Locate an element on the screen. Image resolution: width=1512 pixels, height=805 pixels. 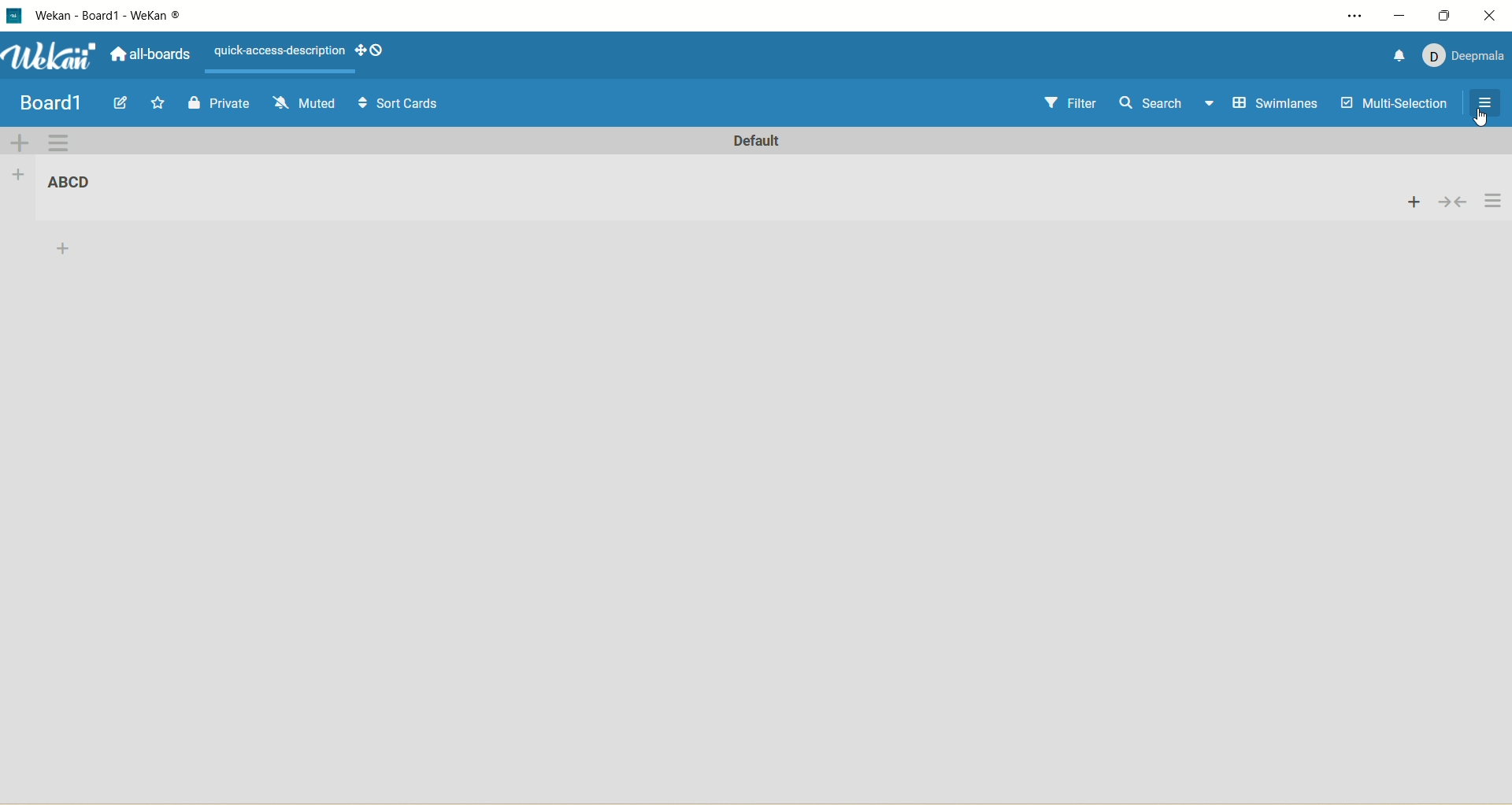
all boards is located at coordinates (150, 54).